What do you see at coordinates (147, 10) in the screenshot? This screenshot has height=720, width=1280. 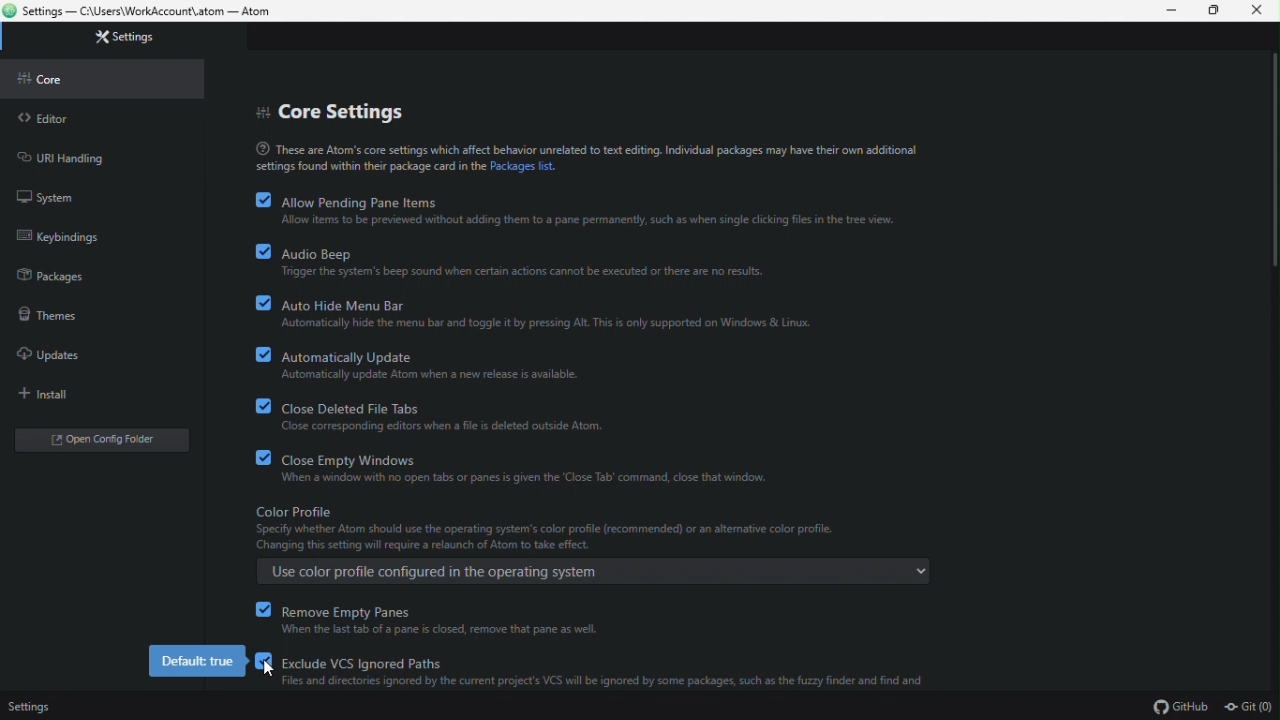 I see `File name and file path` at bounding box center [147, 10].